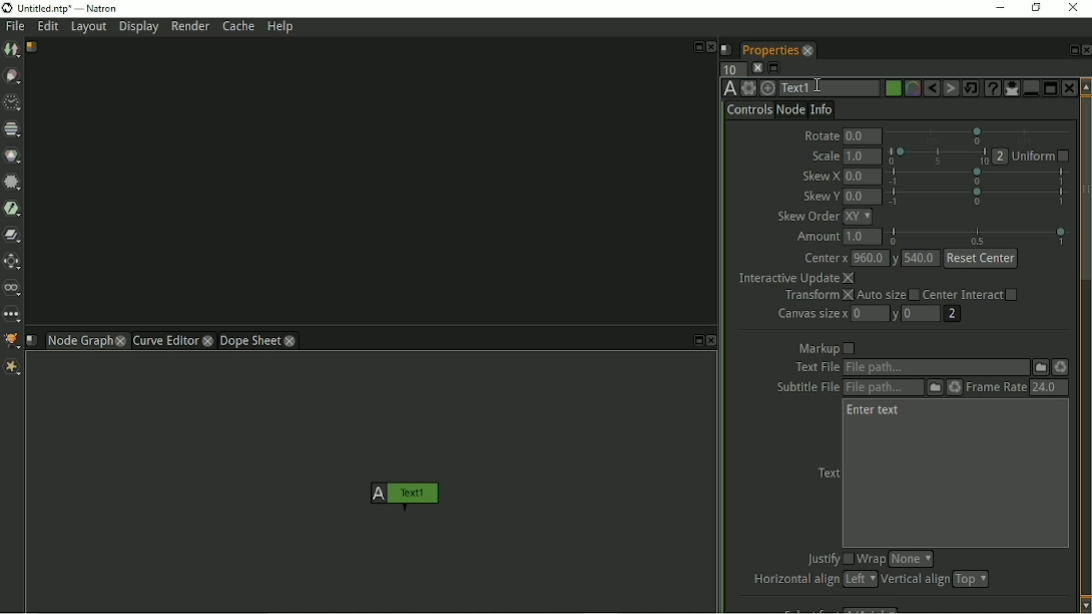  I want to click on 2, so click(1001, 156).